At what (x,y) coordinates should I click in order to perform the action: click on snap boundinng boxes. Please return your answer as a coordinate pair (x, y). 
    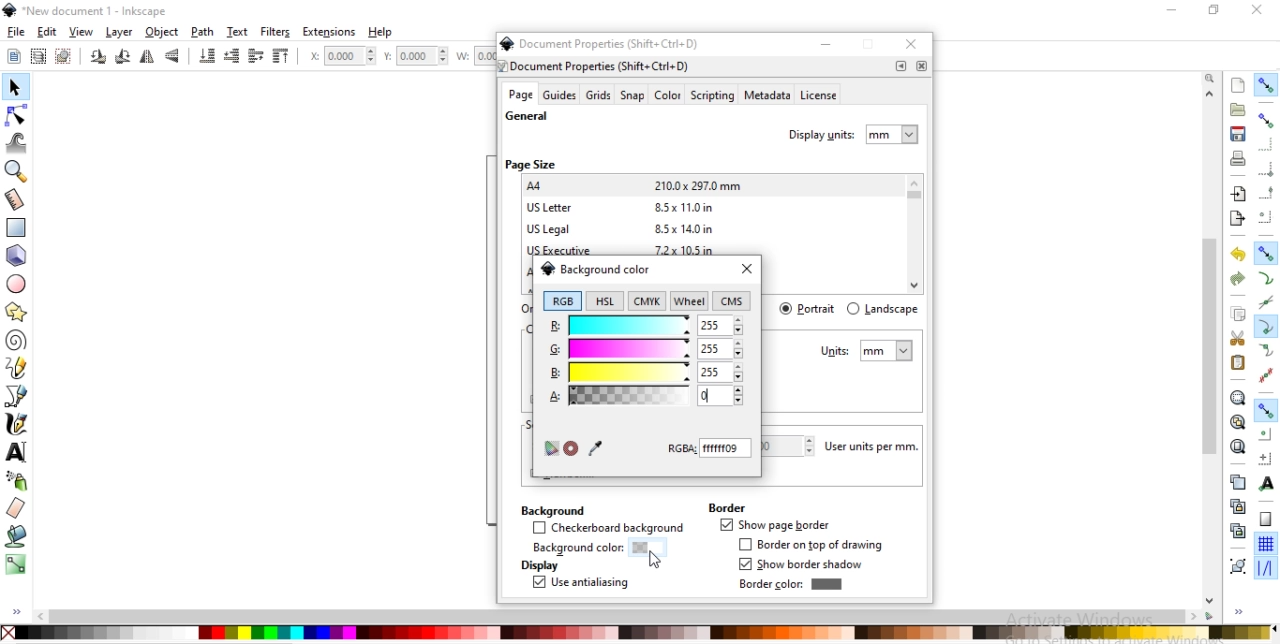
    Looking at the image, I should click on (1265, 121).